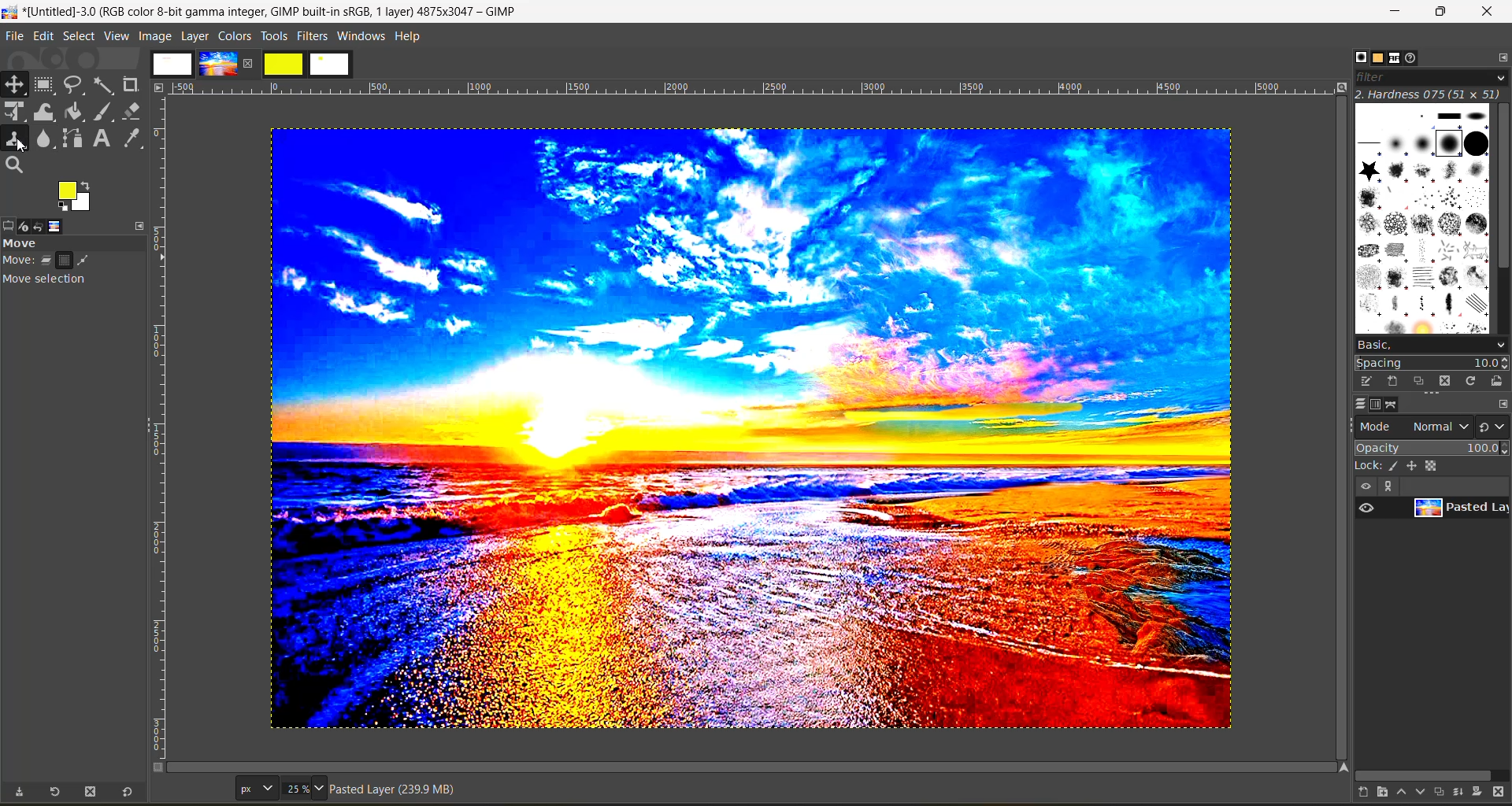  Describe the element at coordinates (79, 35) in the screenshot. I see `select` at that location.